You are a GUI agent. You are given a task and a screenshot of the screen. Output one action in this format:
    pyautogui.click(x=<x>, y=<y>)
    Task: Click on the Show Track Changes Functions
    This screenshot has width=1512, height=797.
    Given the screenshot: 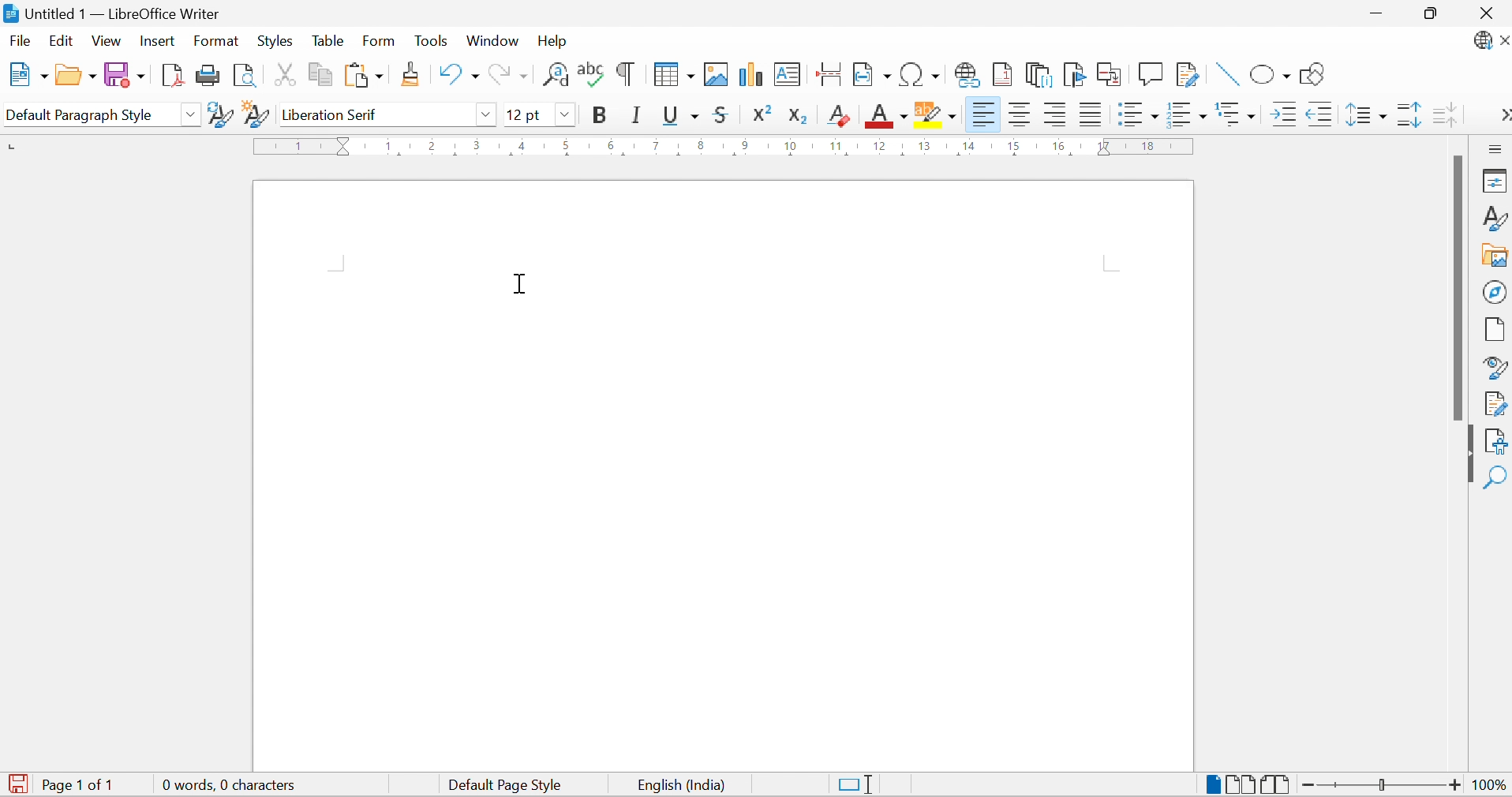 What is the action you would take?
    pyautogui.click(x=1190, y=77)
    